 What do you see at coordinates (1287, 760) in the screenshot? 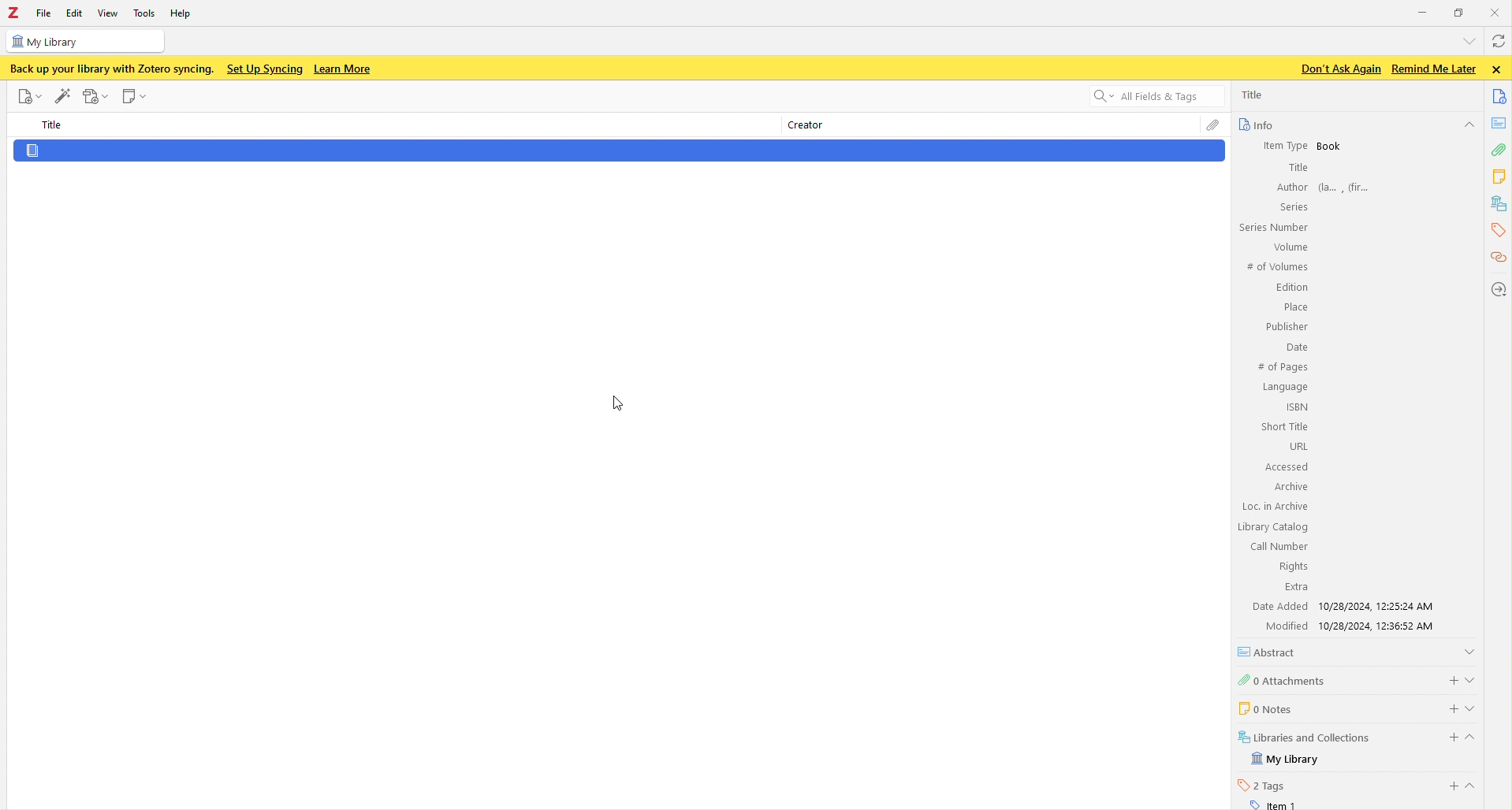
I see `My Library` at bounding box center [1287, 760].